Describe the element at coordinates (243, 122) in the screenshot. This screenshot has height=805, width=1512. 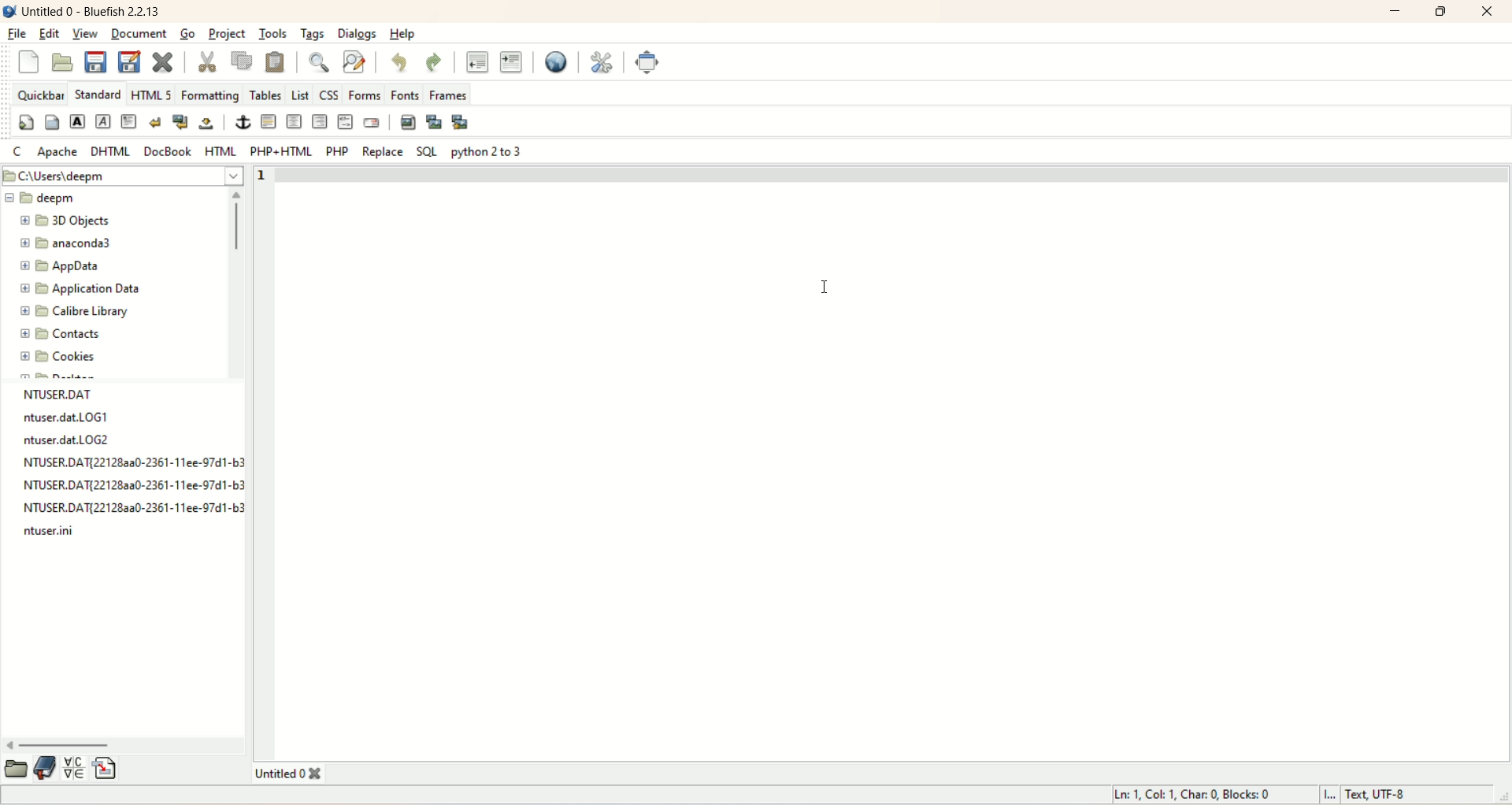
I see `anchor/hyperlink` at that location.